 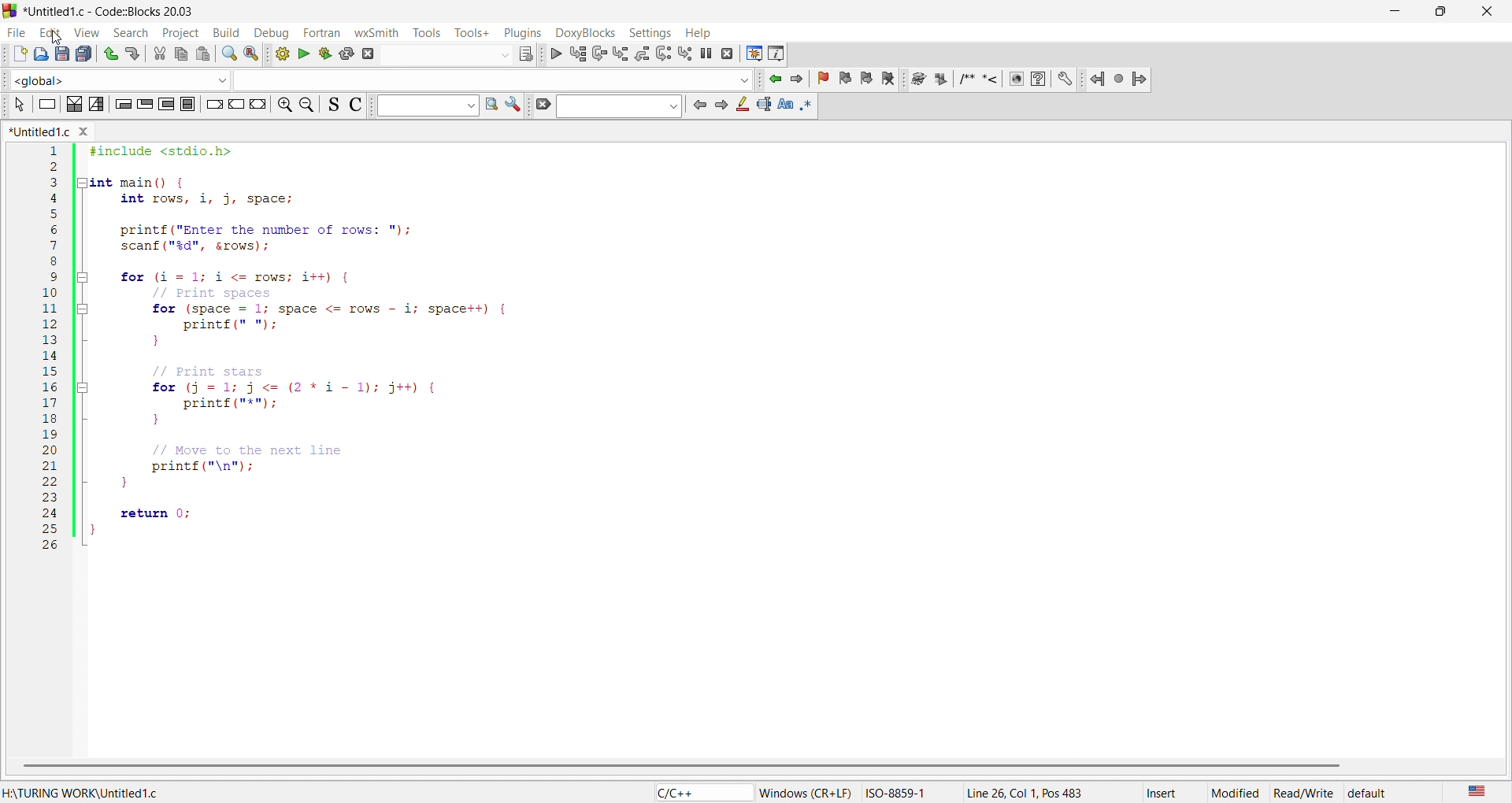 What do you see at coordinates (813, 105) in the screenshot?
I see `icon` at bounding box center [813, 105].